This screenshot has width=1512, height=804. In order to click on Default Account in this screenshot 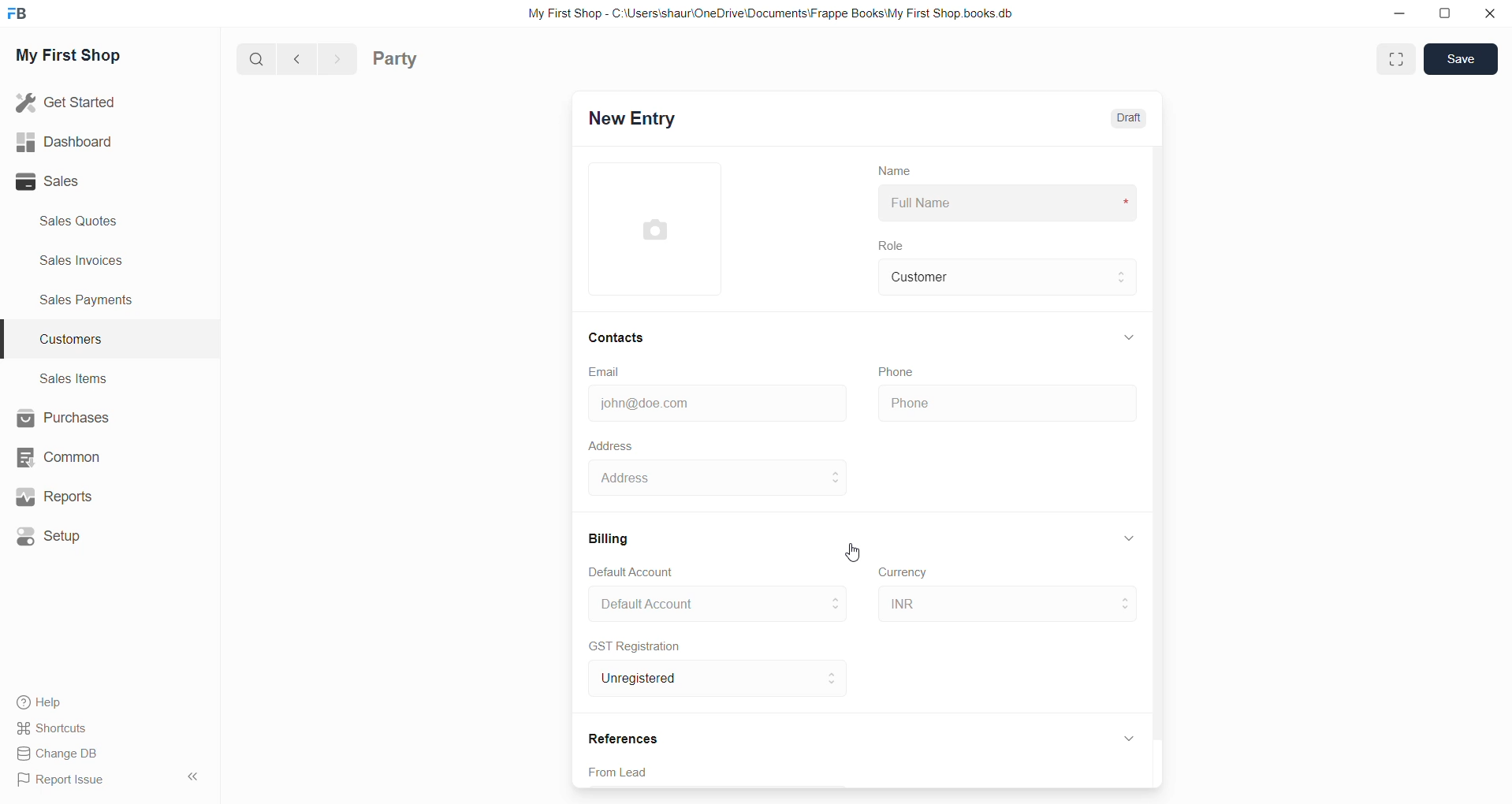, I will do `click(643, 570)`.